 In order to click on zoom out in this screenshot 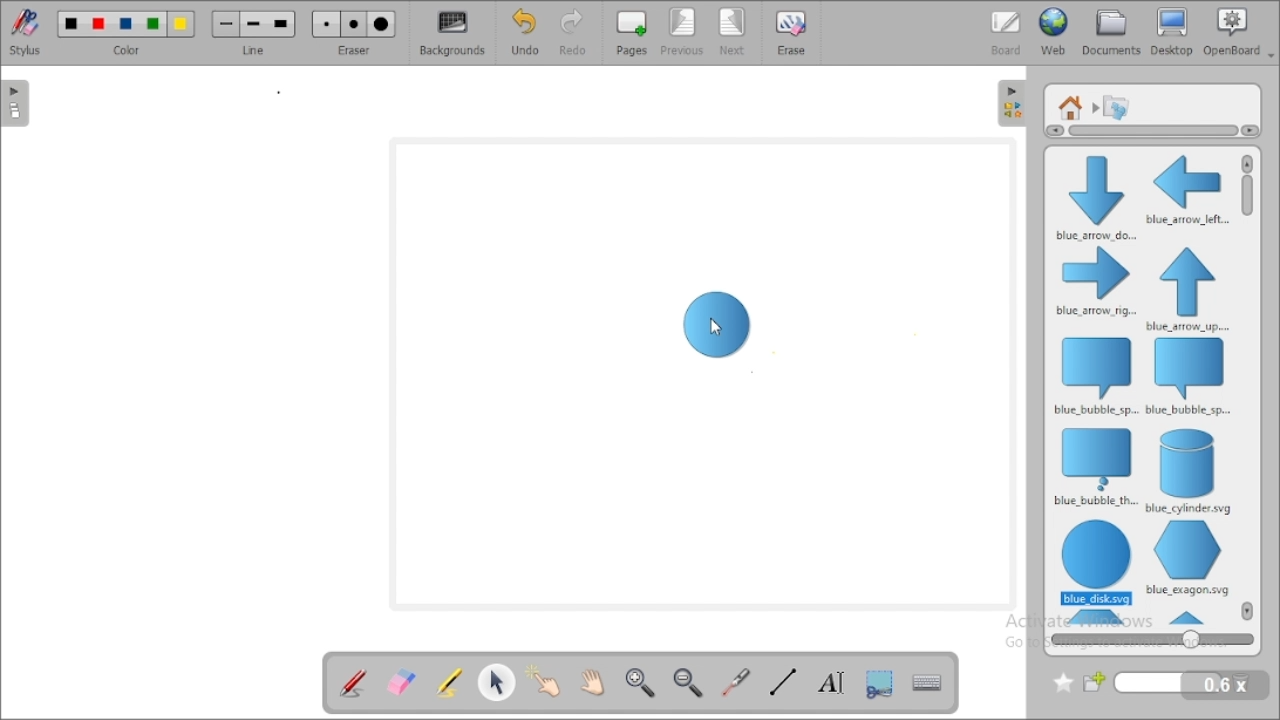, I will do `click(690, 682)`.